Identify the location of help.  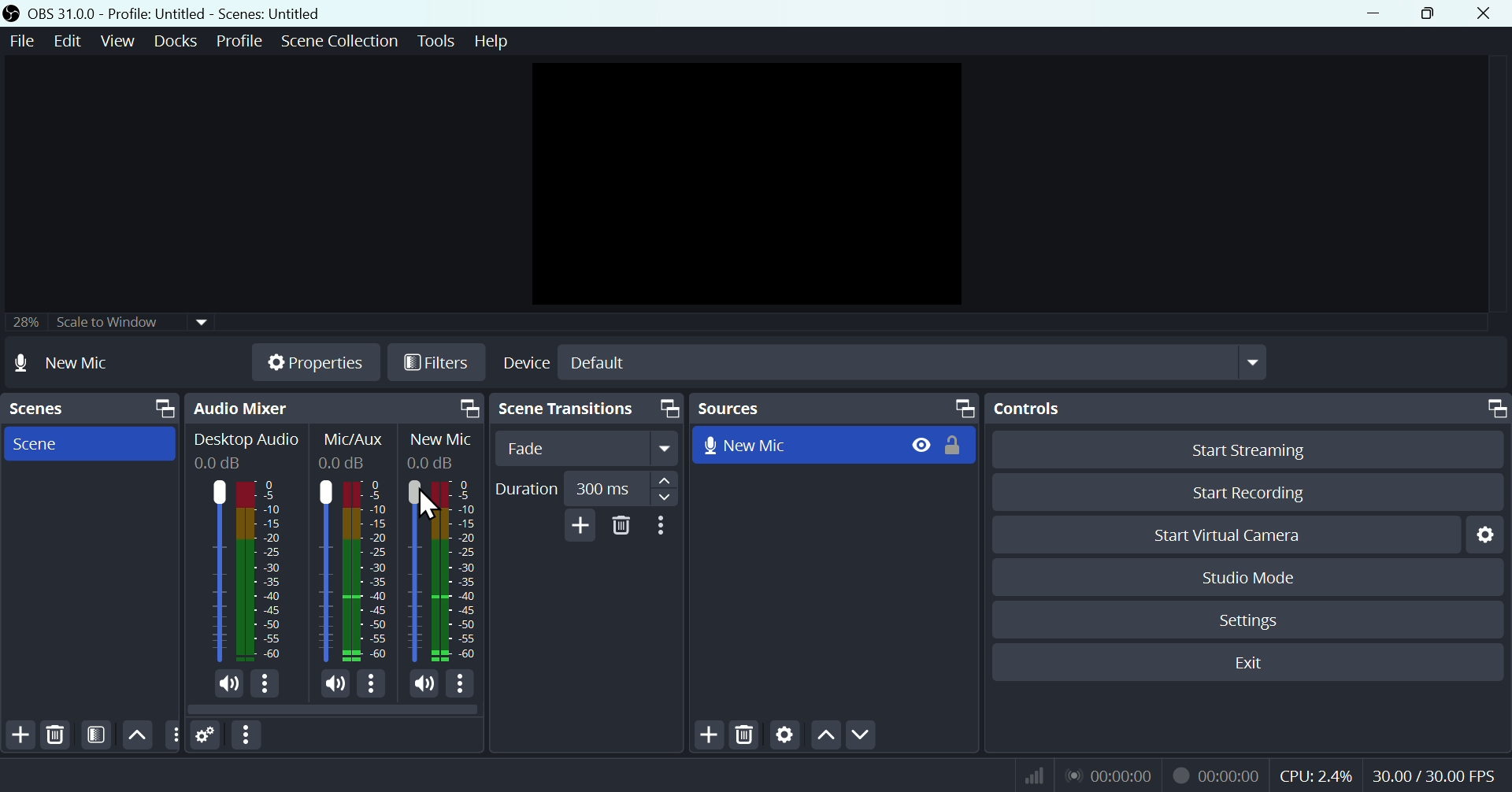
(491, 41).